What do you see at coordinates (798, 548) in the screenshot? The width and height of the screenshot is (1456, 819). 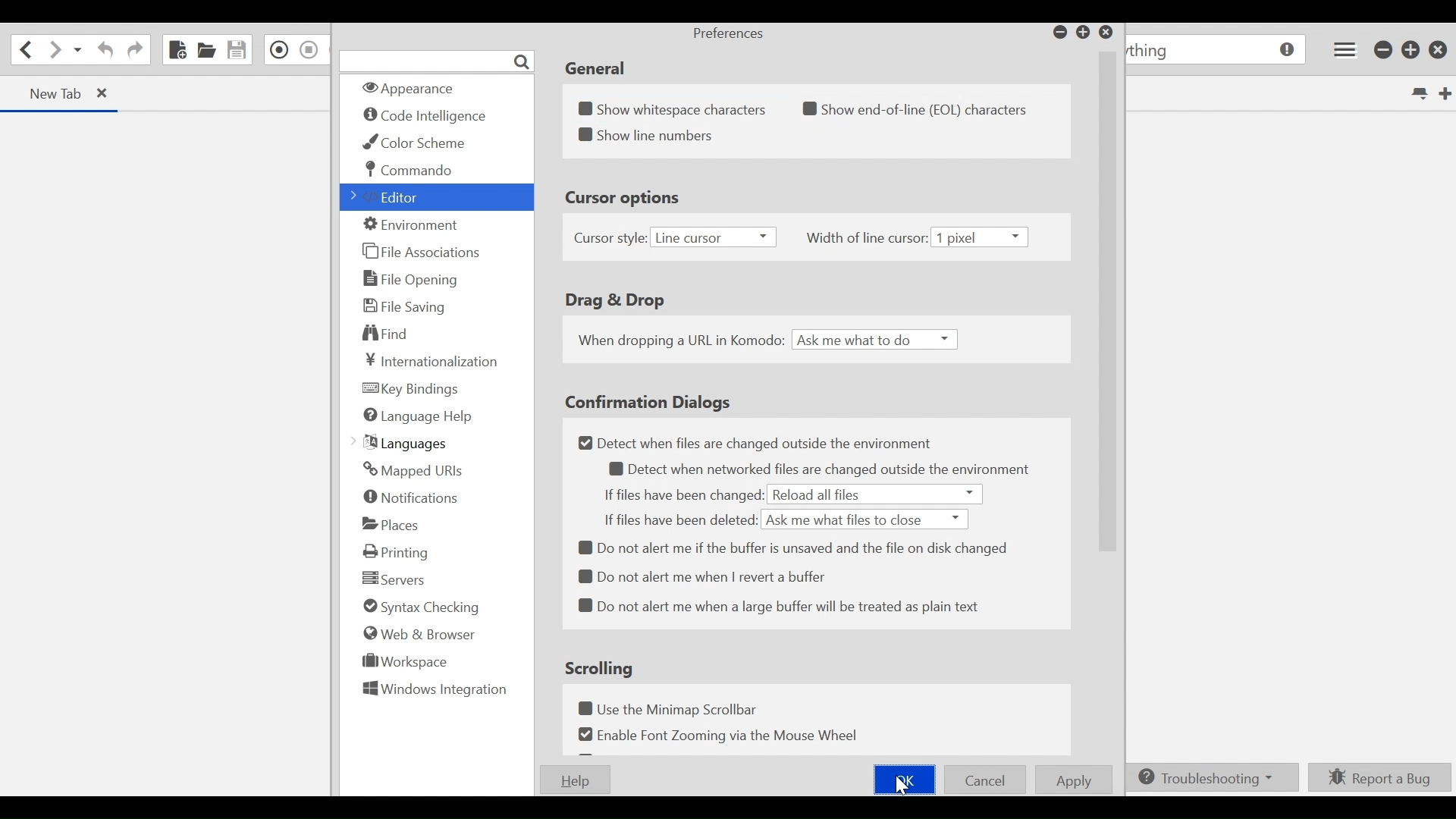 I see `Do not alert me if the buffer is unsaved and the file on disk changed` at bounding box center [798, 548].